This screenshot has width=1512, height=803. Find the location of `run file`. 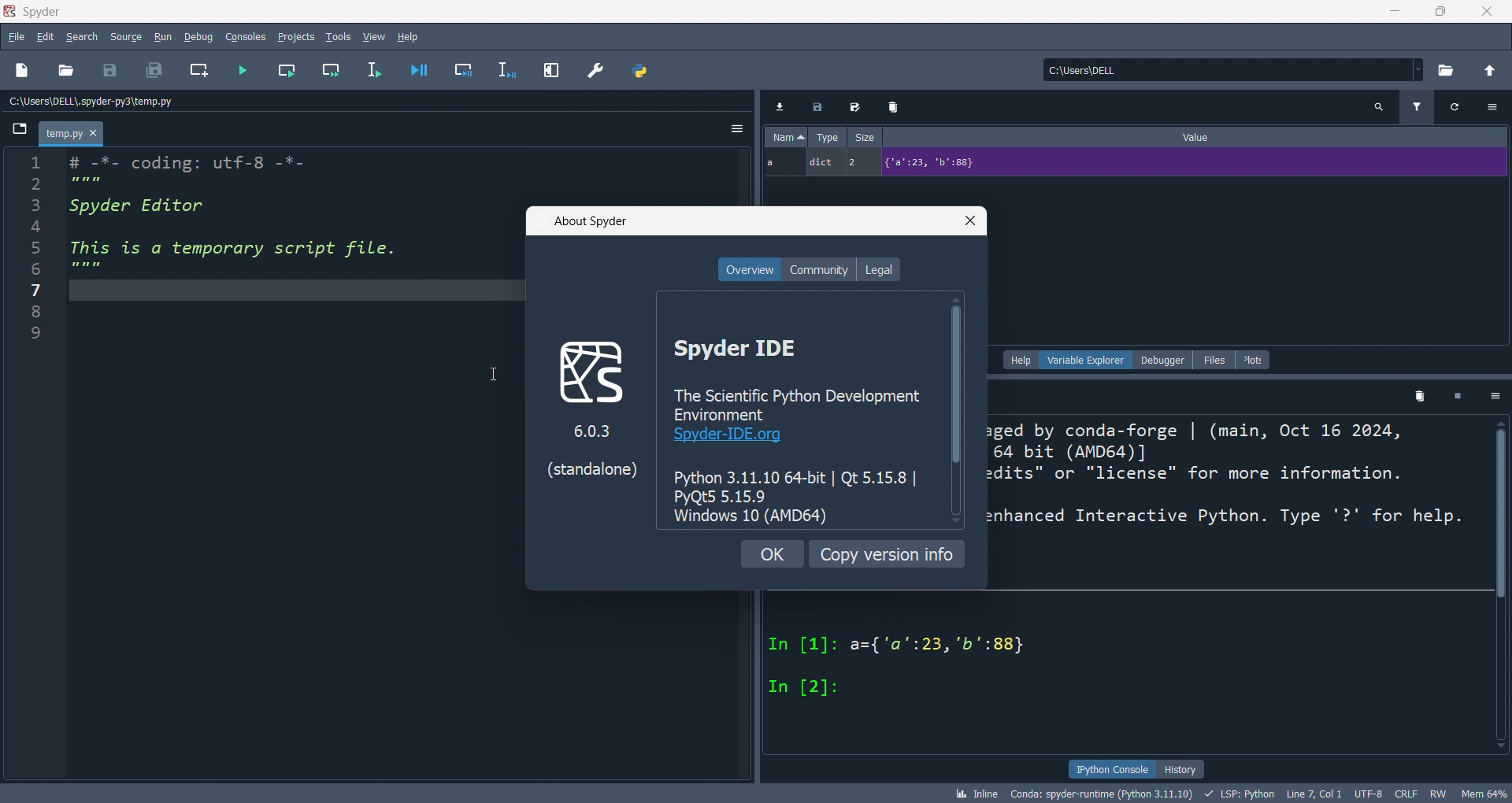

run file is located at coordinates (243, 71).